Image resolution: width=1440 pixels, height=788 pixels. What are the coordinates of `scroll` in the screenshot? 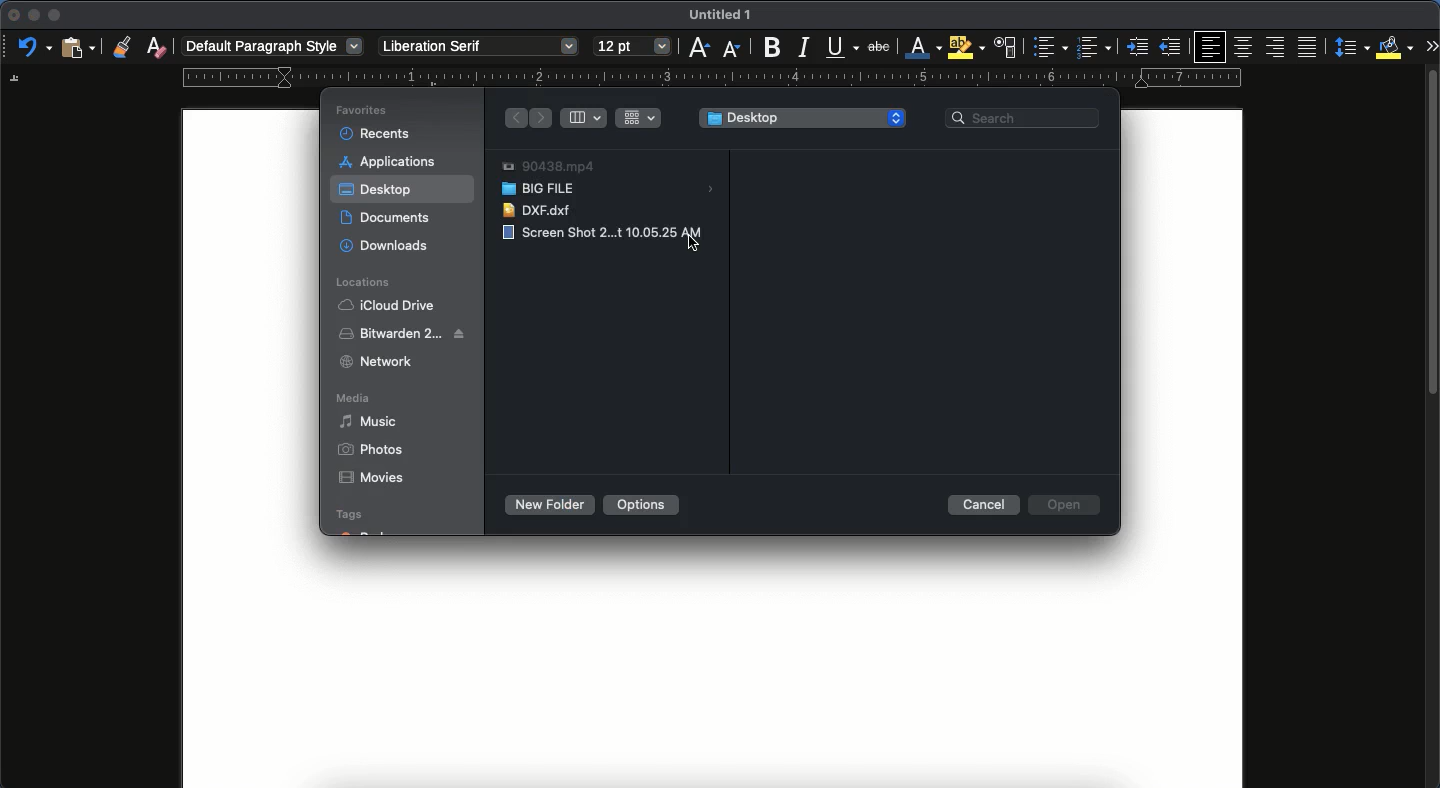 It's located at (1433, 432).